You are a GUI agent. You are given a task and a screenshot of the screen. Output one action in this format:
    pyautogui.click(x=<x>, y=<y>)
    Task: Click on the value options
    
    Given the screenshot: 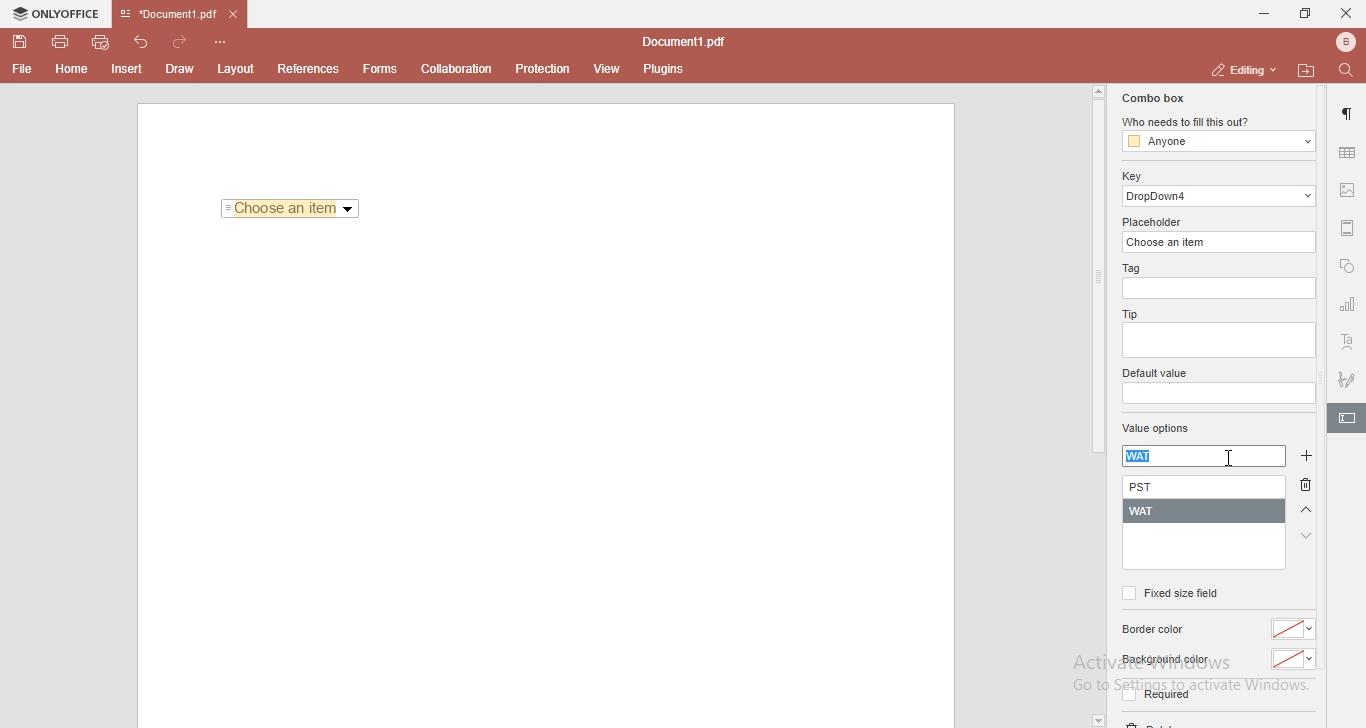 What is the action you would take?
    pyautogui.click(x=1156, y=430)
    